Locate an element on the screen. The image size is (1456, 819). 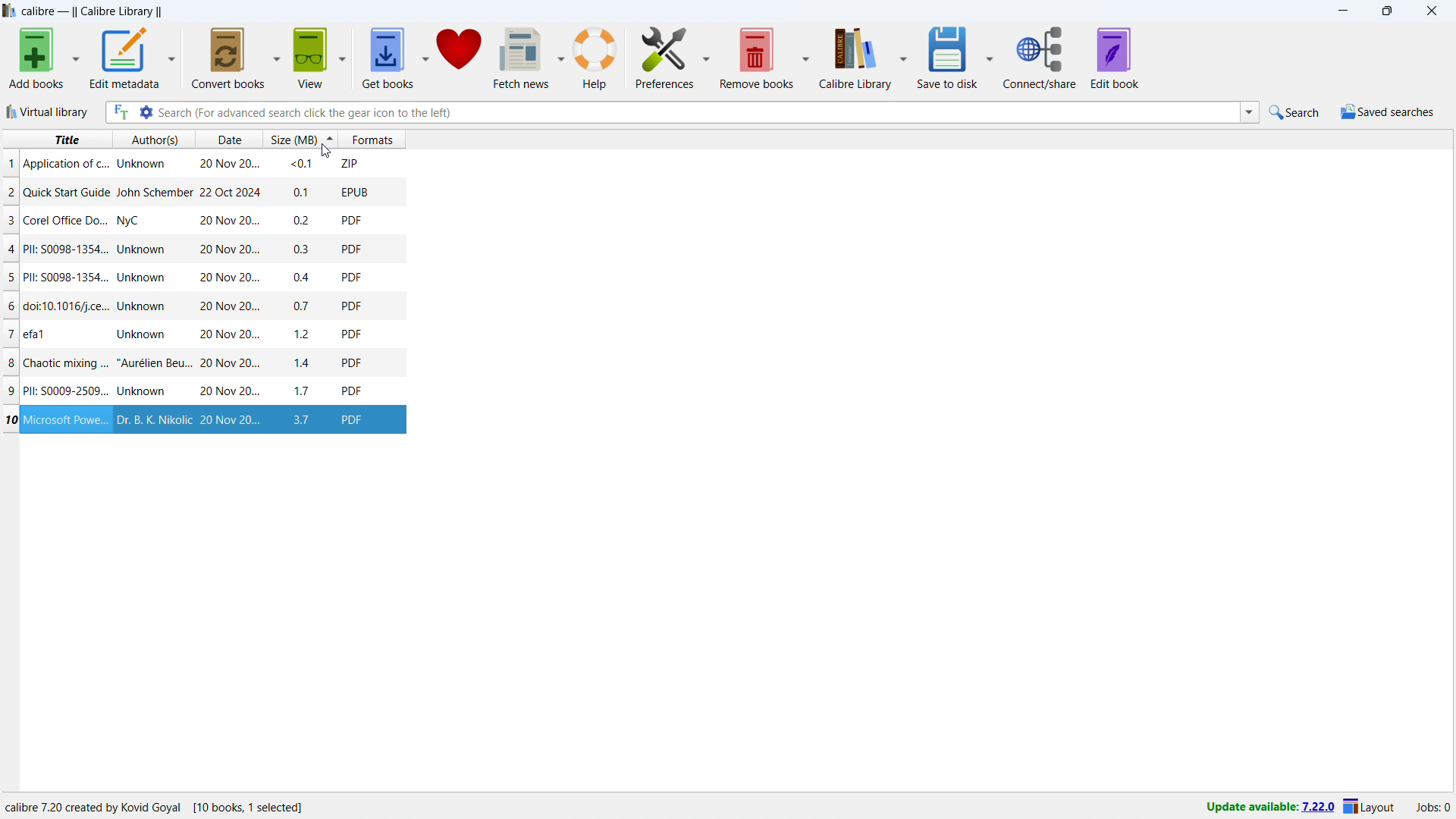
9 is located at coordinates (9, 390).